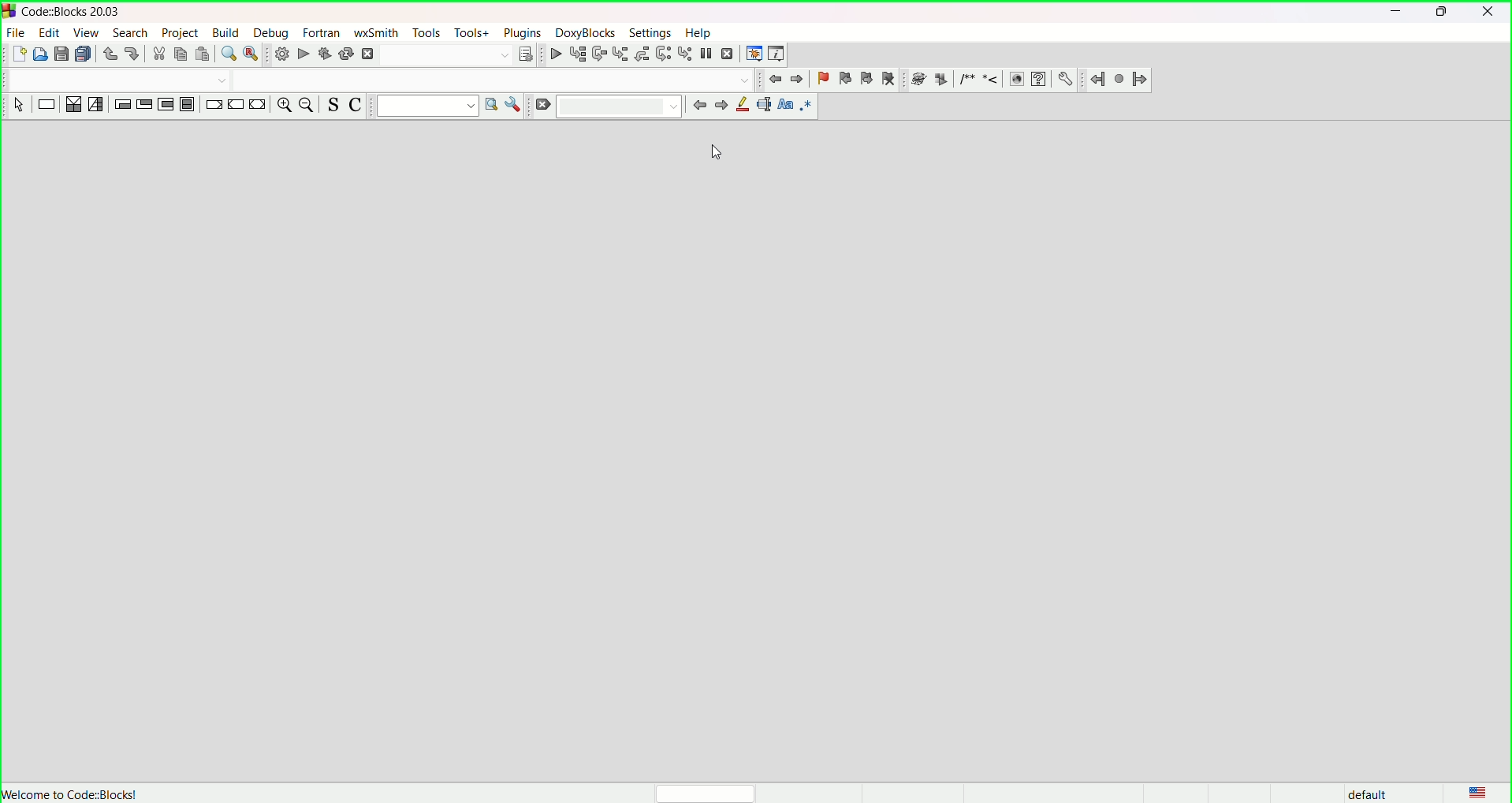  I want to click on , so click(374, 32).